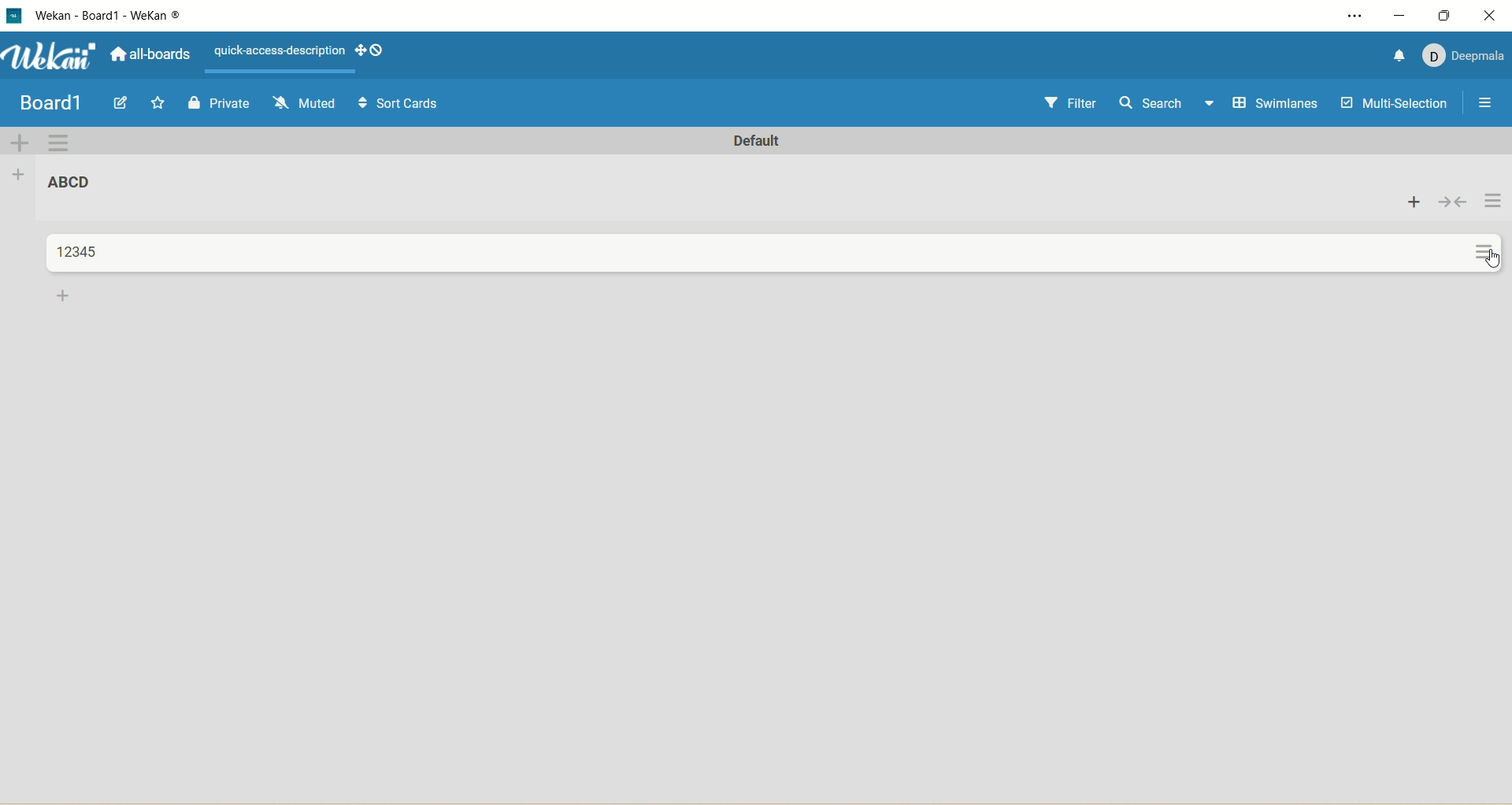 The width and height of the screenshot is (1512, 805). I want to click on logo, so click(18, 17).